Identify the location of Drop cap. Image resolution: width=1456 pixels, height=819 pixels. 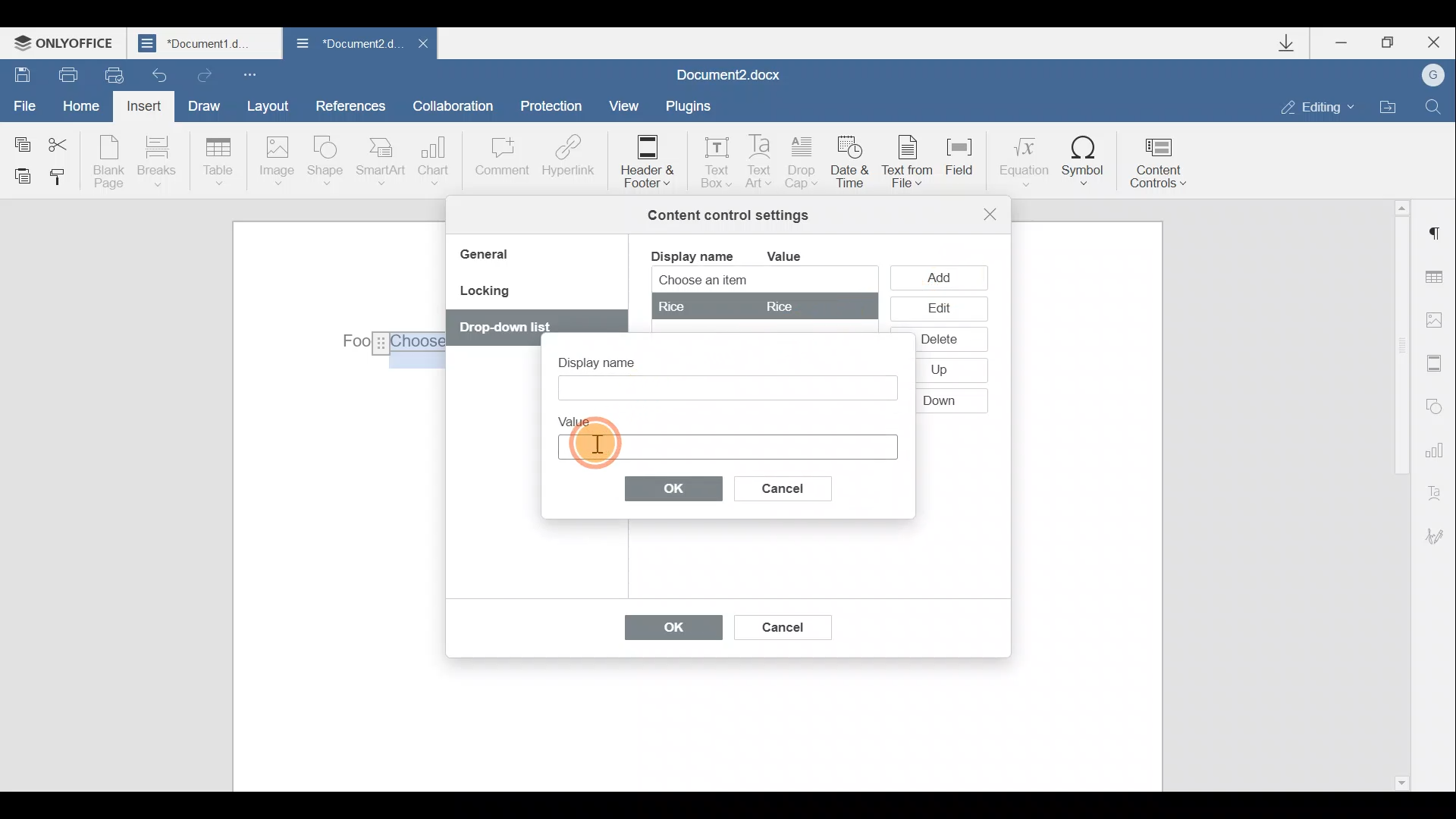
(802, 164).